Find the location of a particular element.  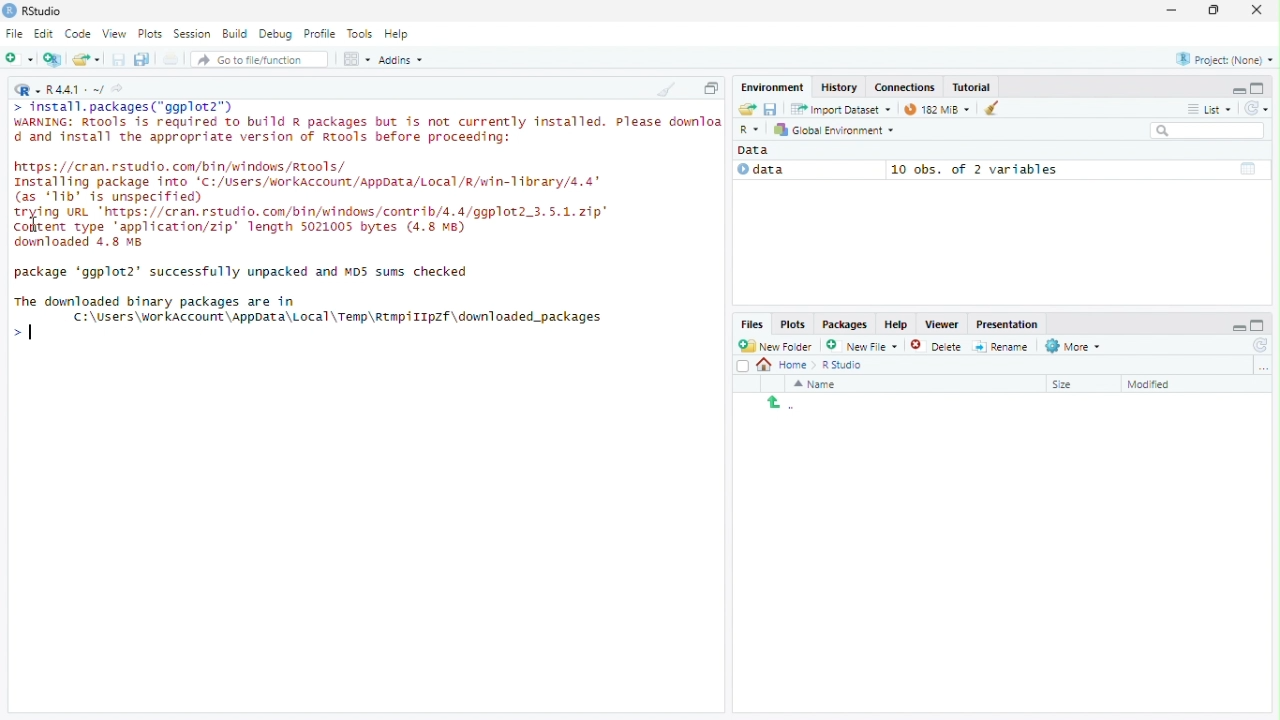

Tutorial is located at coordinates (973, 87).